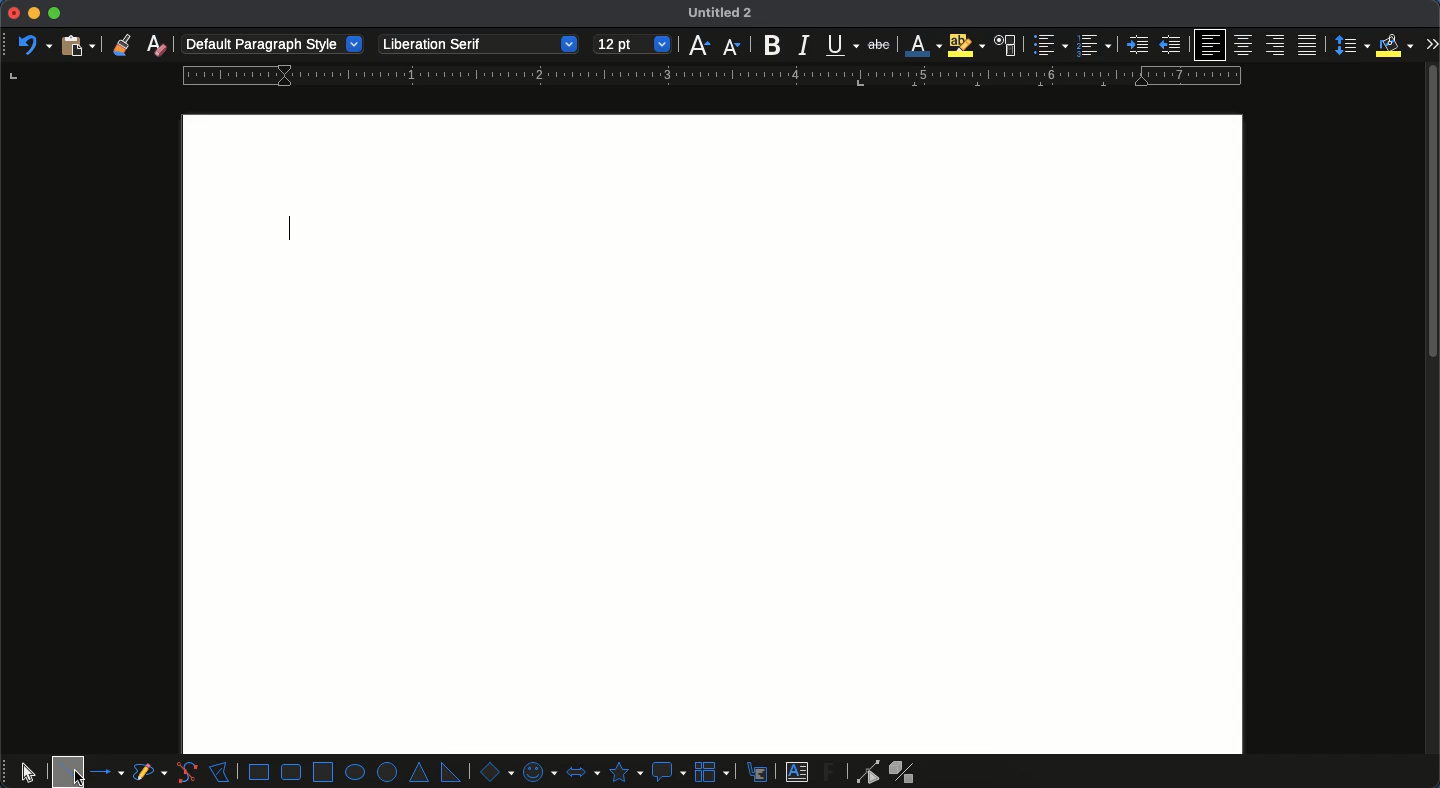 The image size is (1440, 788). What do you see at coordinates (1396, 45) in the screenshot?
I see `fill color` at bounding box center [1396, 45].